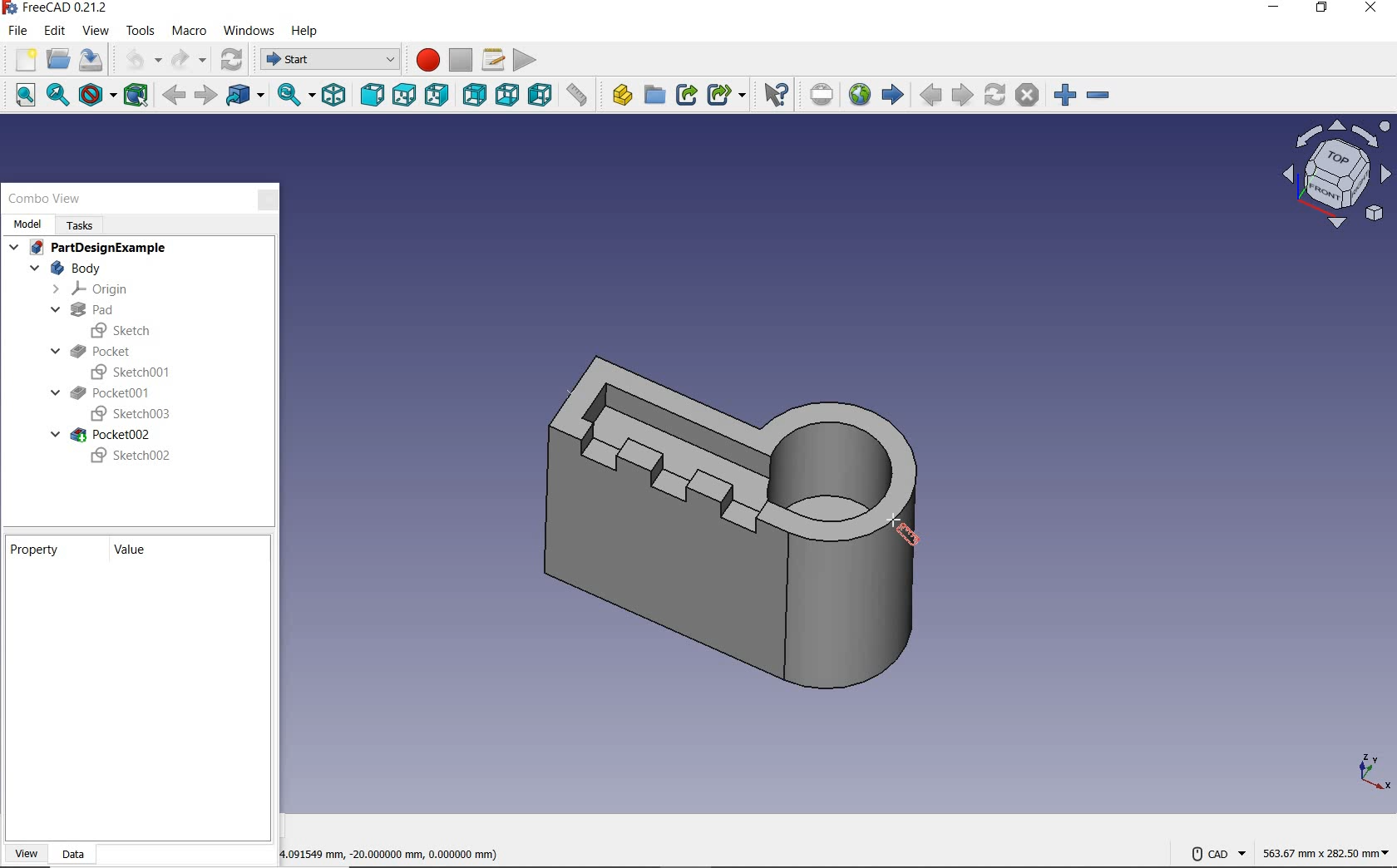 This screenshot has height=868, width=1397. Describe the element at coordinates (268, 200) in the screenshot. I see `CLOSE` at that location.